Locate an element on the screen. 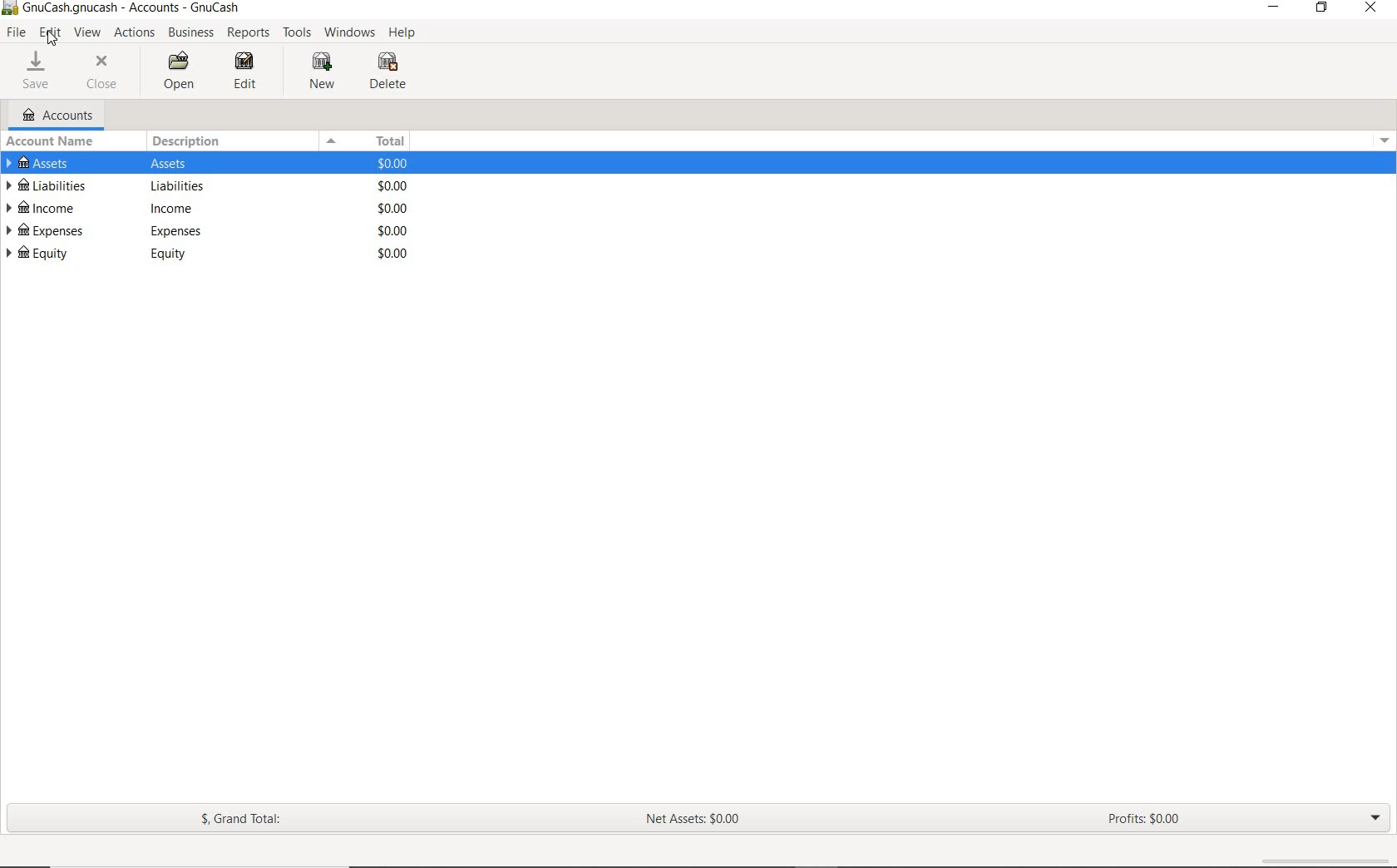  WINDOWS is located at coordinates (349, 33).